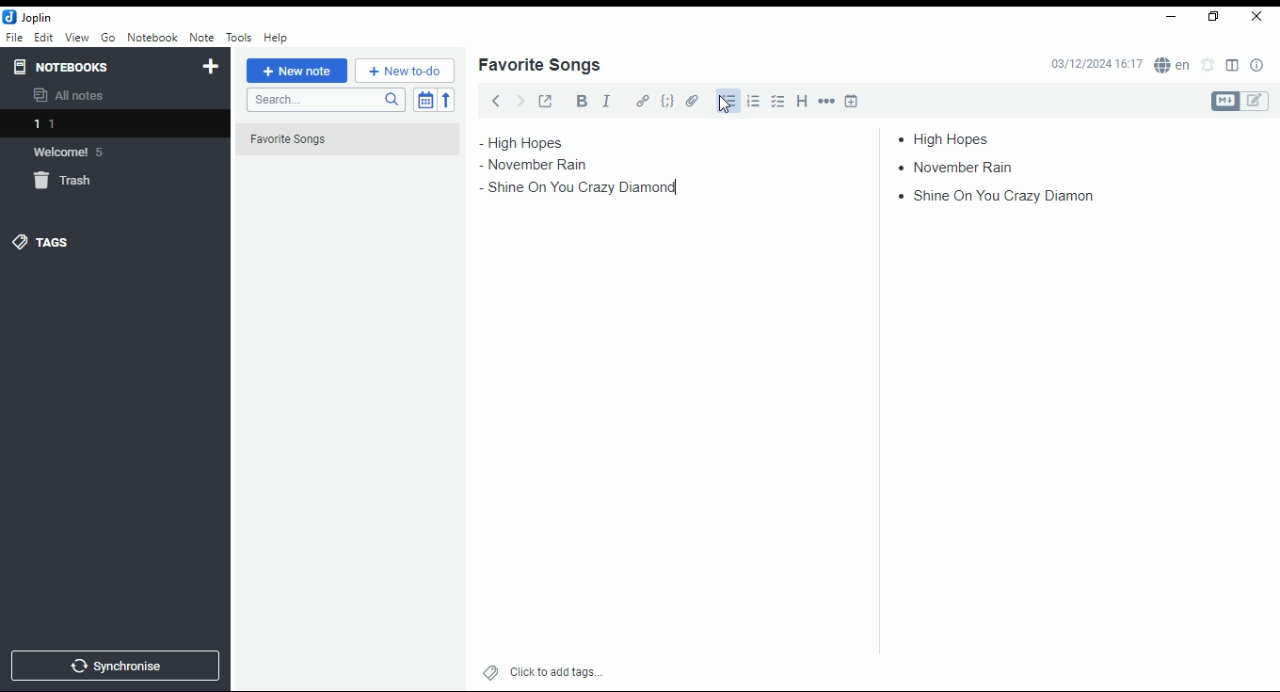 This screenshot has height=692, width=1280. What do you see at coordinates (30, 17) in the screenshot?
I see `icon` at bounding box center [30, 17].